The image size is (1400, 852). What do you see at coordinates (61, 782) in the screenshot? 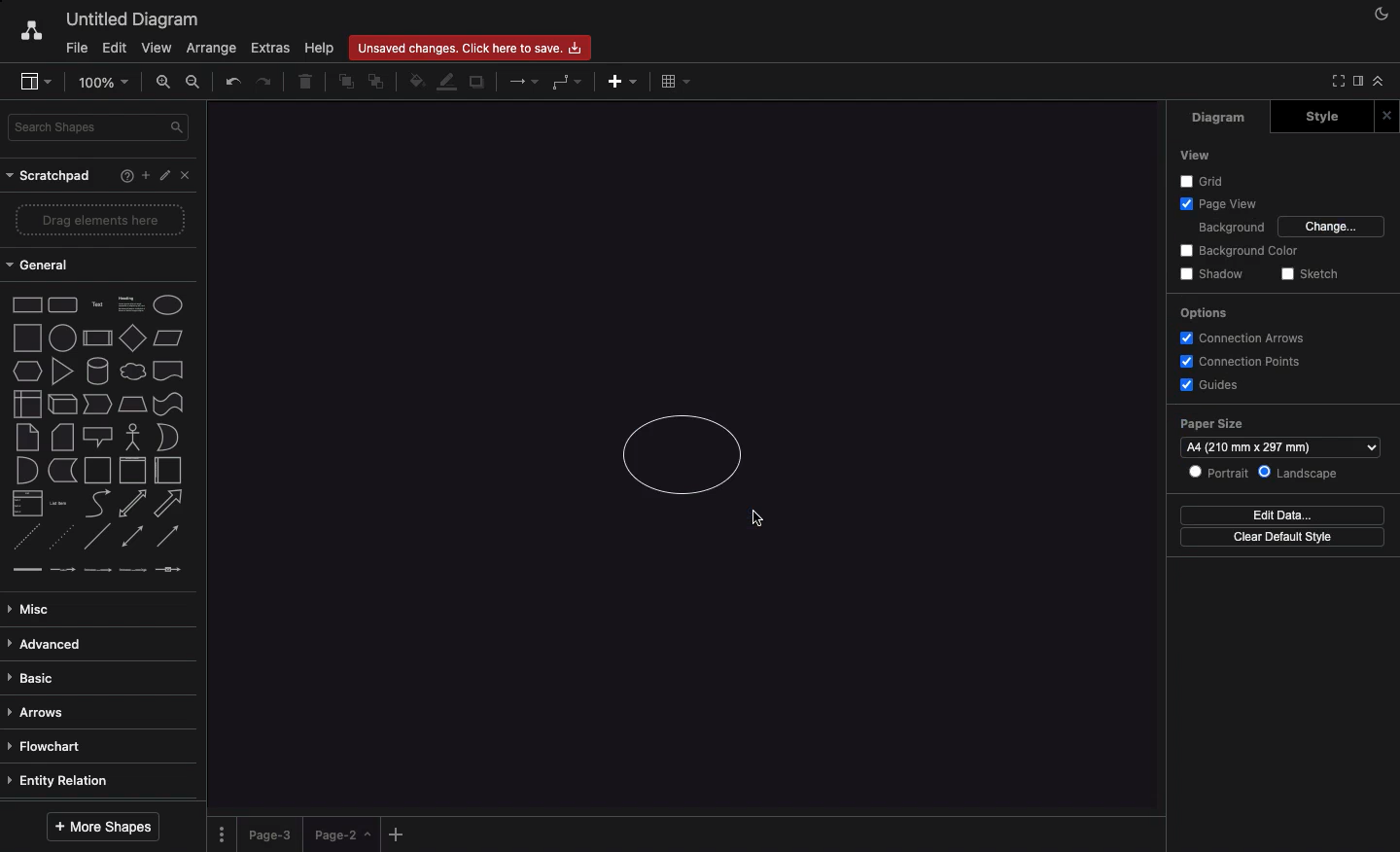
I see `Entity relation` at bounding box center [61, 782].